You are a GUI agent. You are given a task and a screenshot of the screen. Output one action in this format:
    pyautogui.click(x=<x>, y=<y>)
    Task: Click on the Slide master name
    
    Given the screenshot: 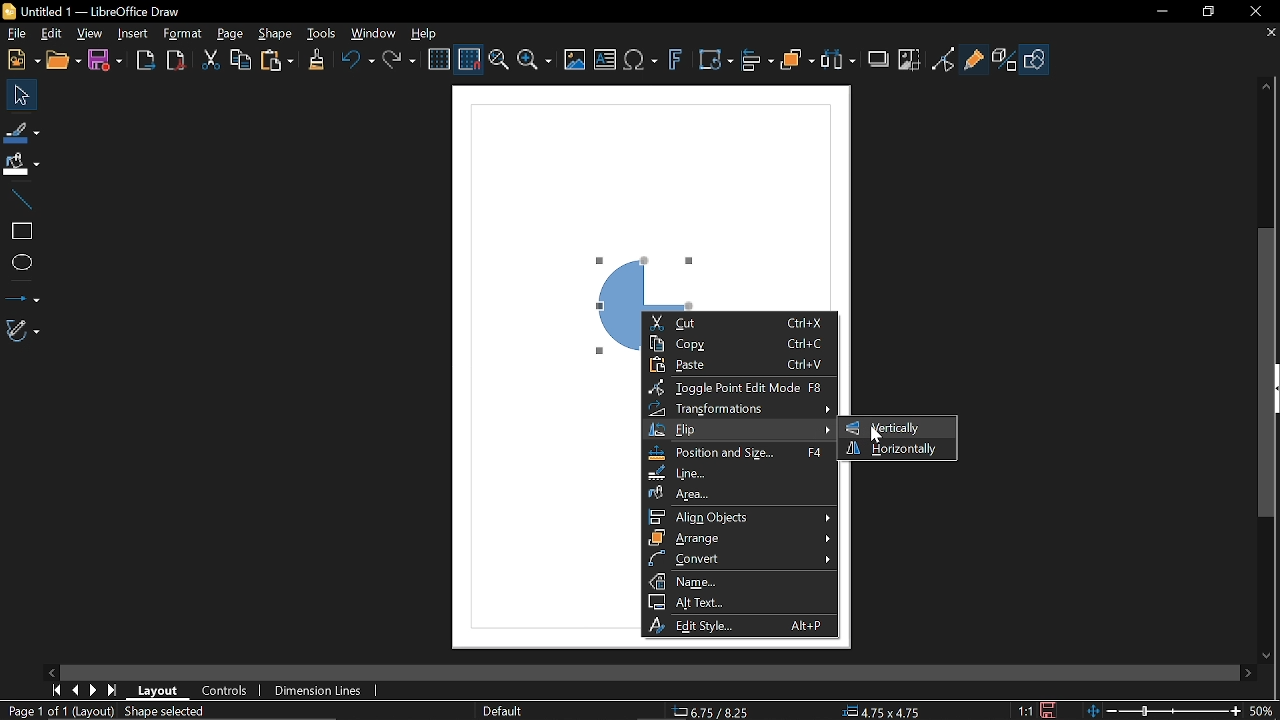 What is the action you would take?
    pyautogui.click(x=504, y=711)
    